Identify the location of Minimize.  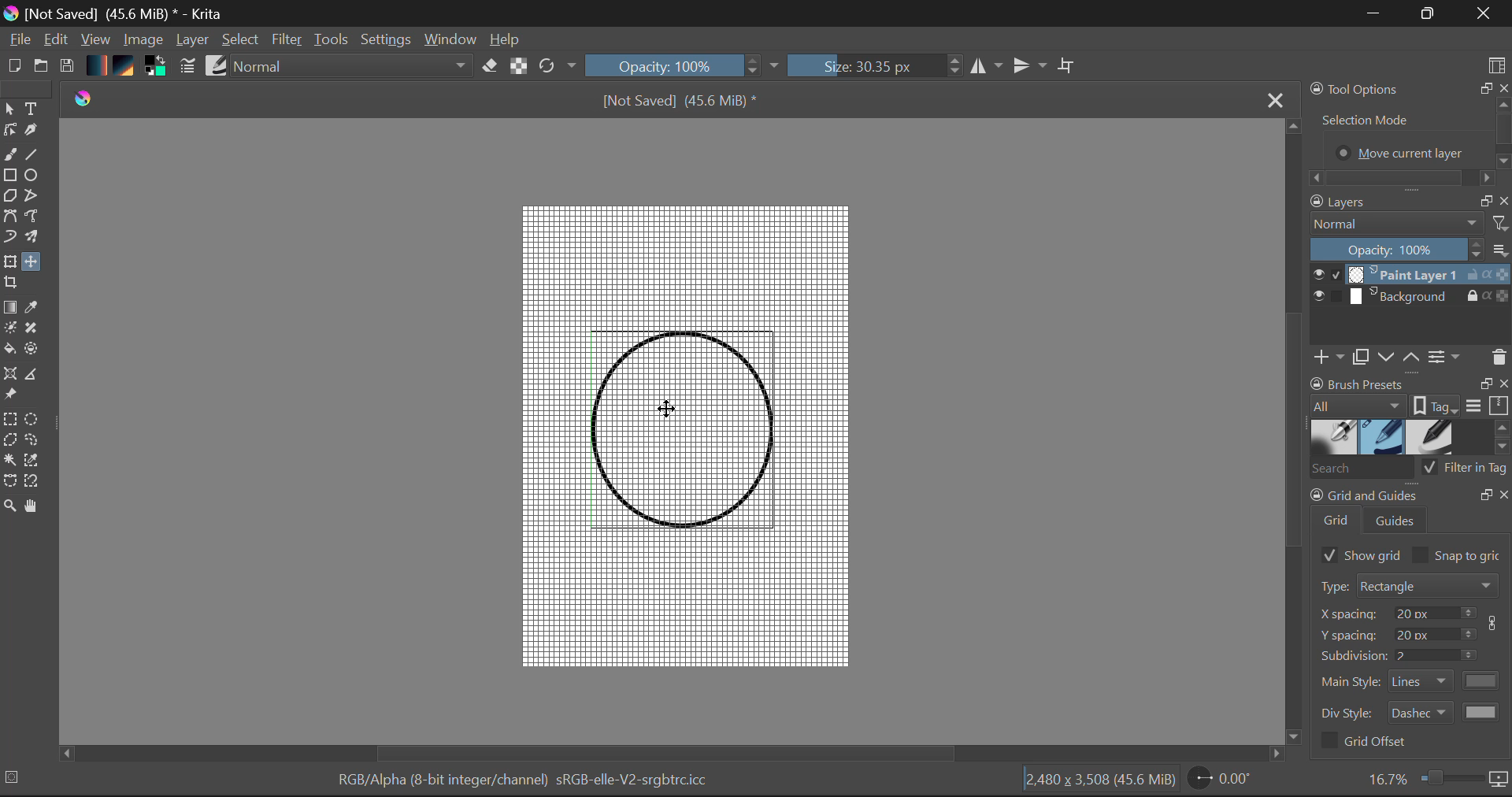
(1429, 13).